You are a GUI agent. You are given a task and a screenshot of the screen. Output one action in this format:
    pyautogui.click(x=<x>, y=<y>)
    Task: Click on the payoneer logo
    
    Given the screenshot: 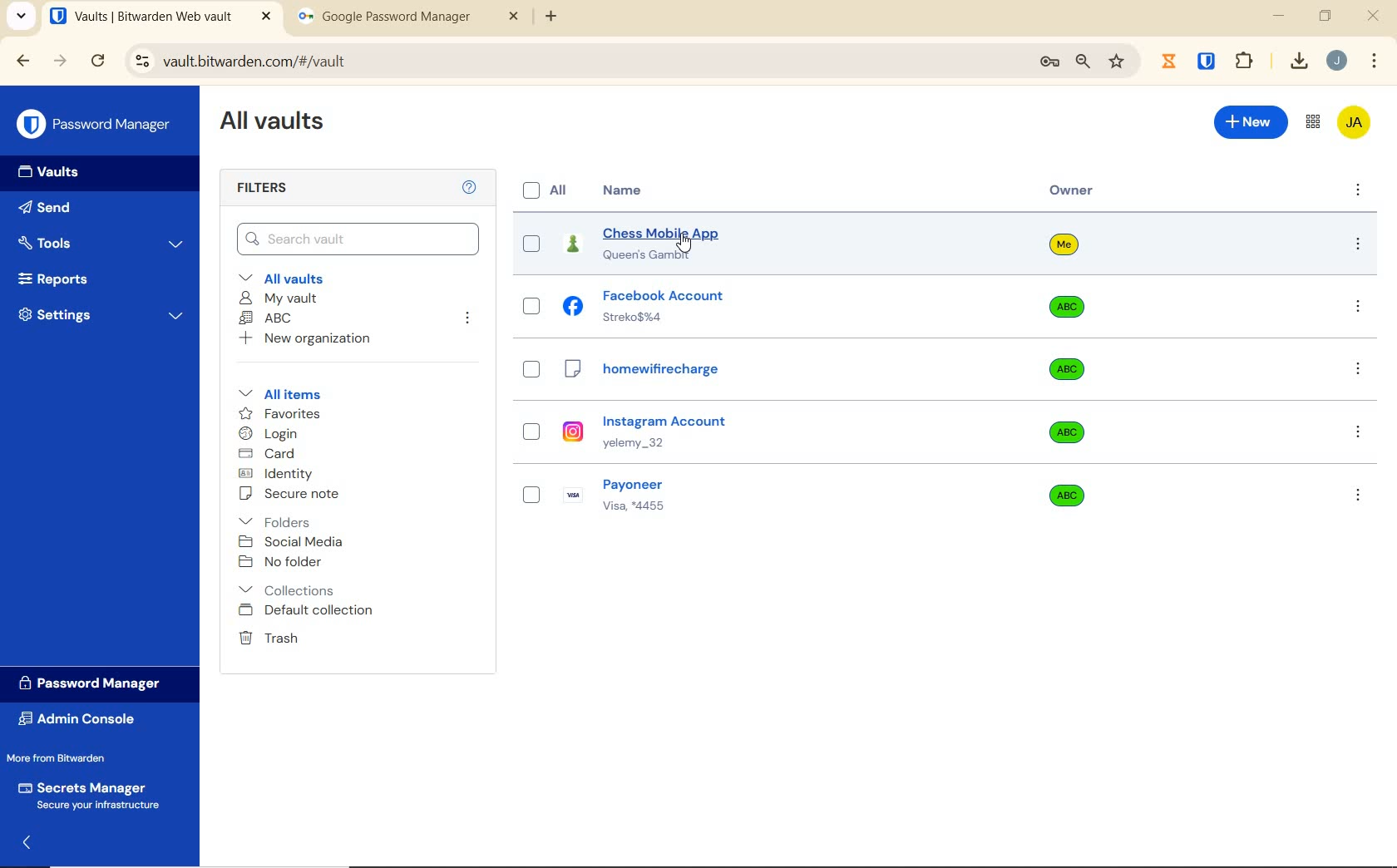 What is the action you would take?
    pyautogui.click(x=575, y=491)
    